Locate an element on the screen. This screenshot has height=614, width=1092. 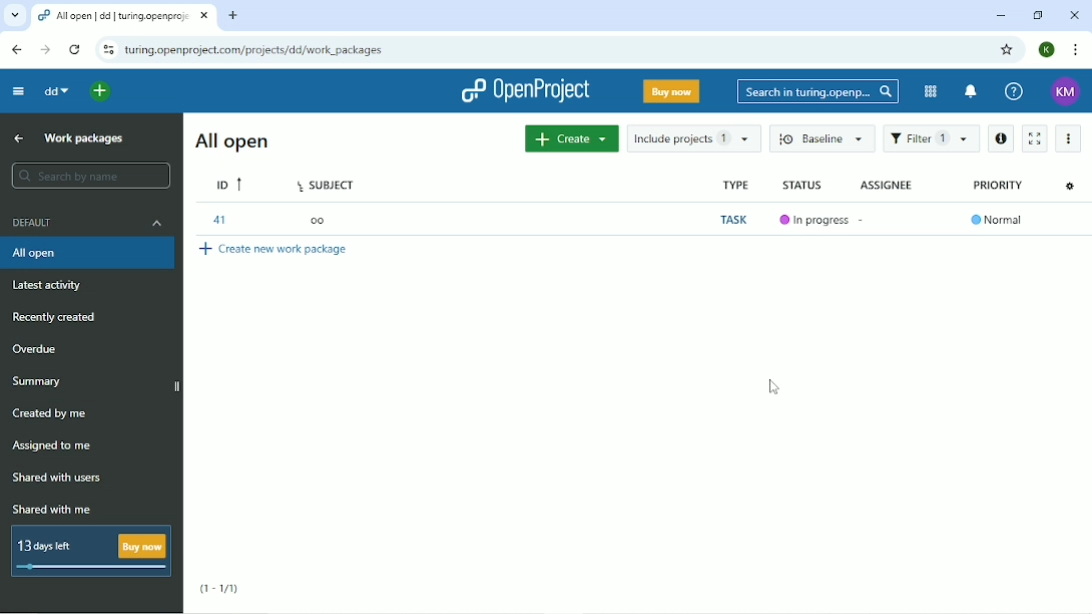
Collapse project menu is located at coordinates (18, 93).